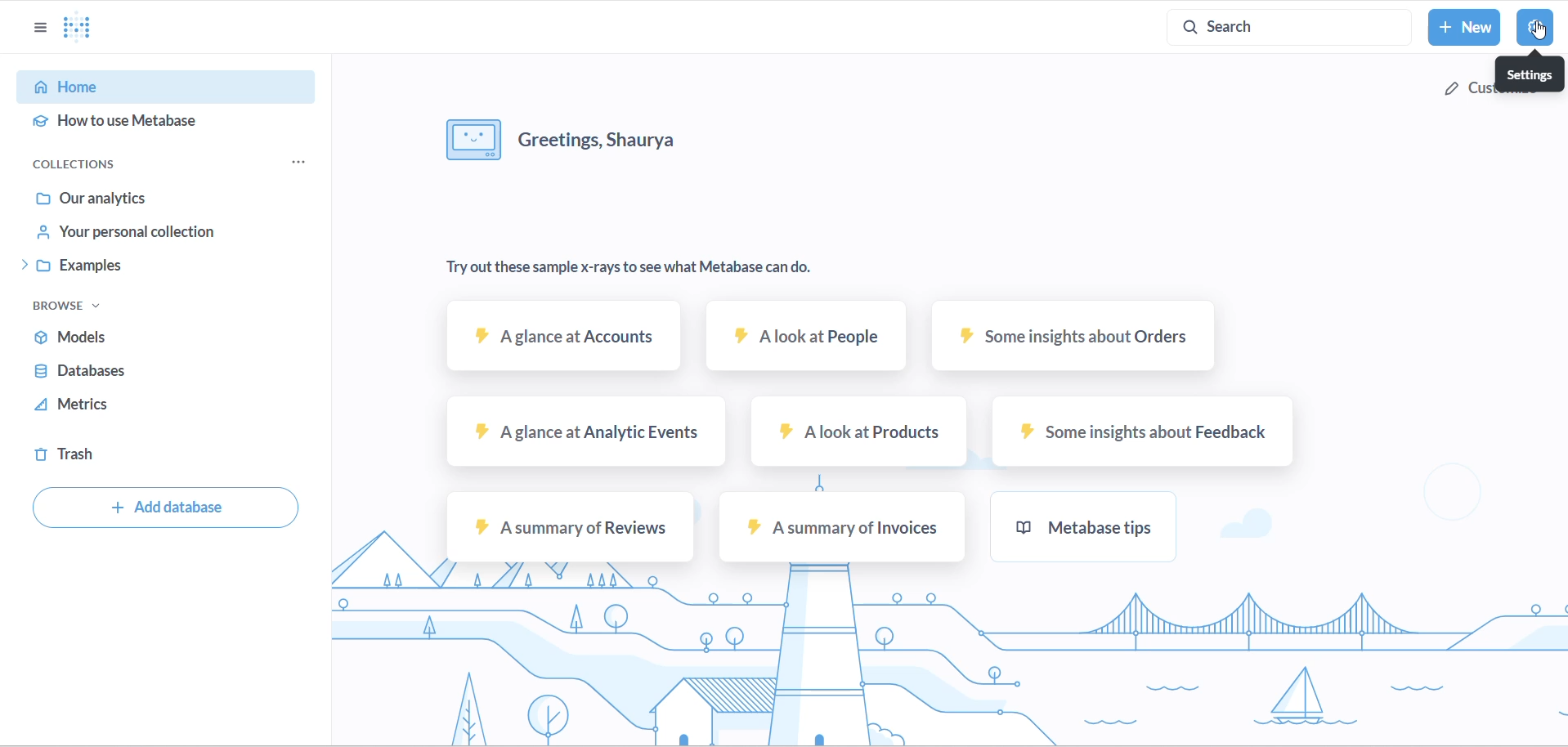 This screenshot has height=747, width=1568. Describe the element at coordinates (566, 528) in the screenshot. I see `A summary of Reviews` at that location.